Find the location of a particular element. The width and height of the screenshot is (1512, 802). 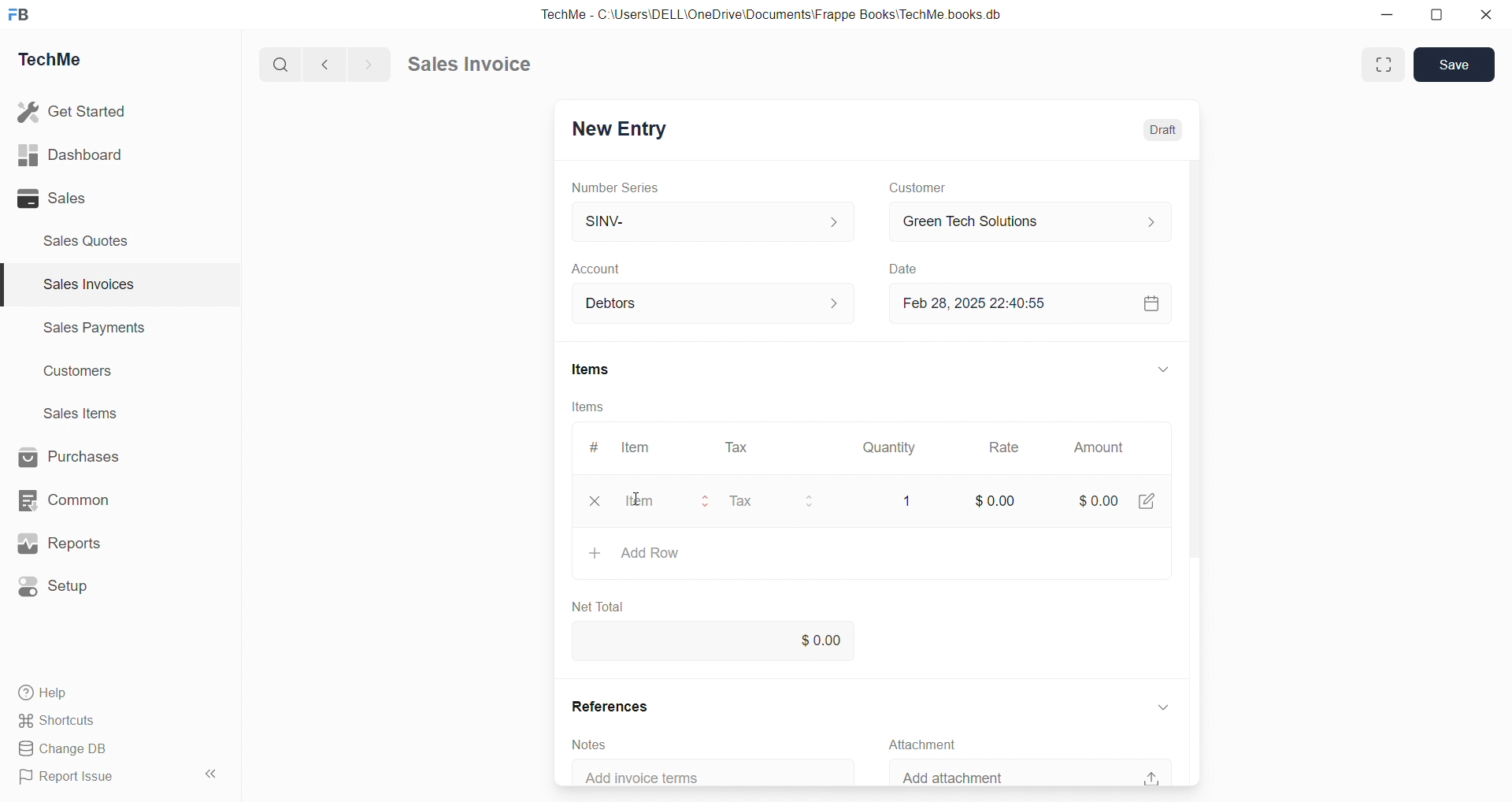

Rate is located at coordinates (1006, 447).